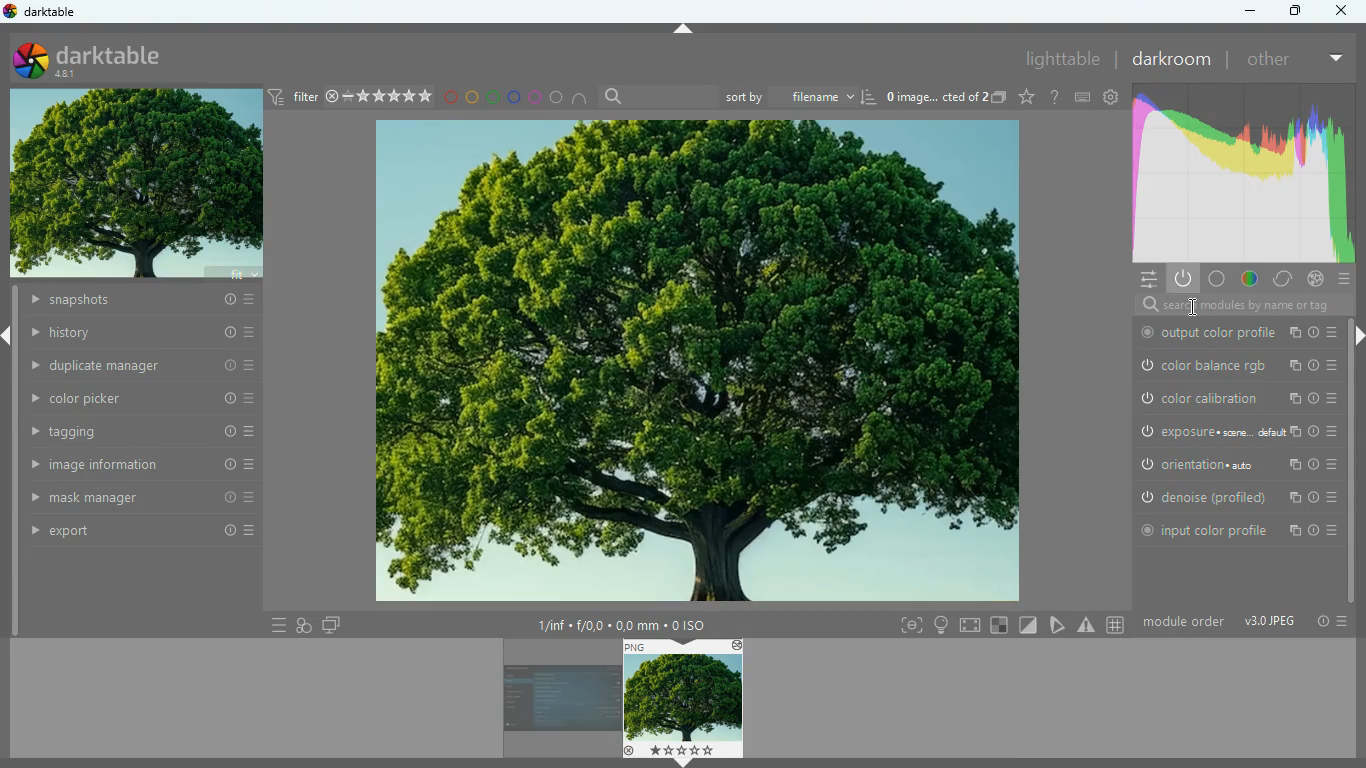 This screenshot has width=1366, height=768. What do you see at coordinates (1236, 530) in the screenshot?
I see `input color profile` at bounding box center [1236, 530].